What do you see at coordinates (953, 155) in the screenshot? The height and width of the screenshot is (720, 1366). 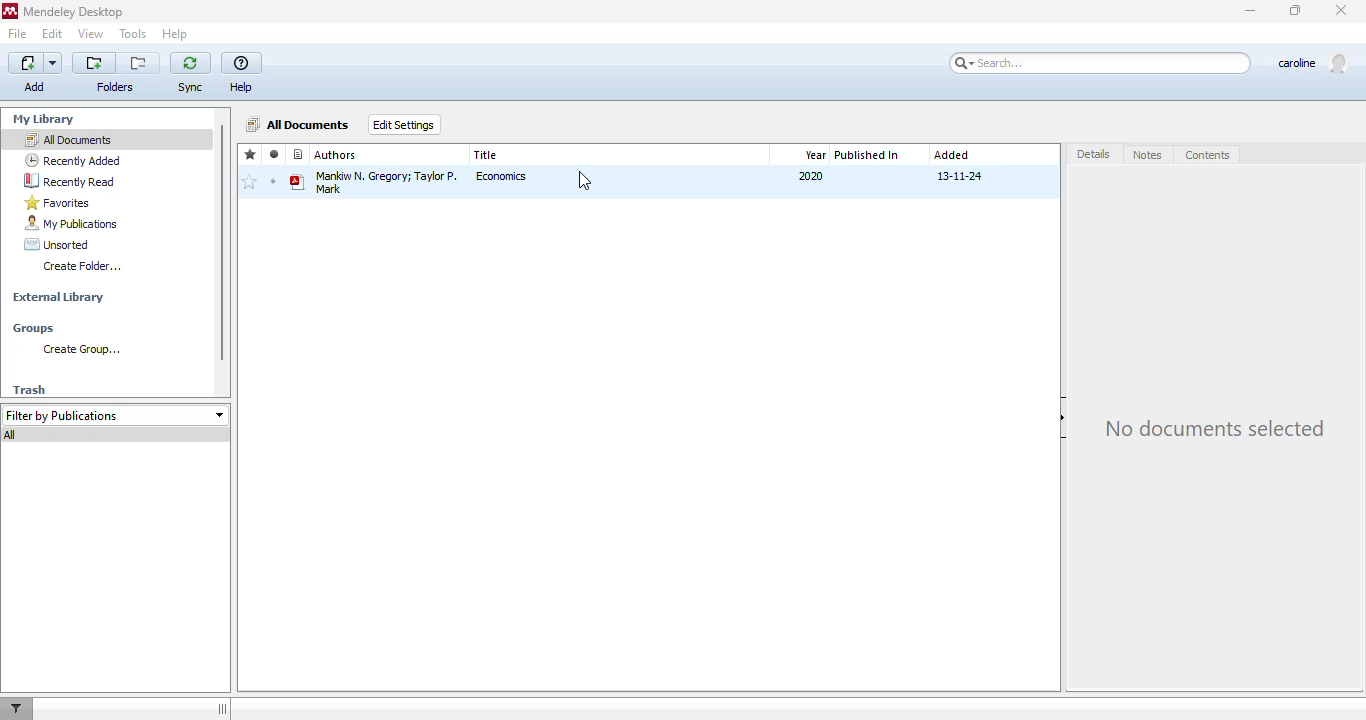 I see `added` at bounding box center [953, 155].